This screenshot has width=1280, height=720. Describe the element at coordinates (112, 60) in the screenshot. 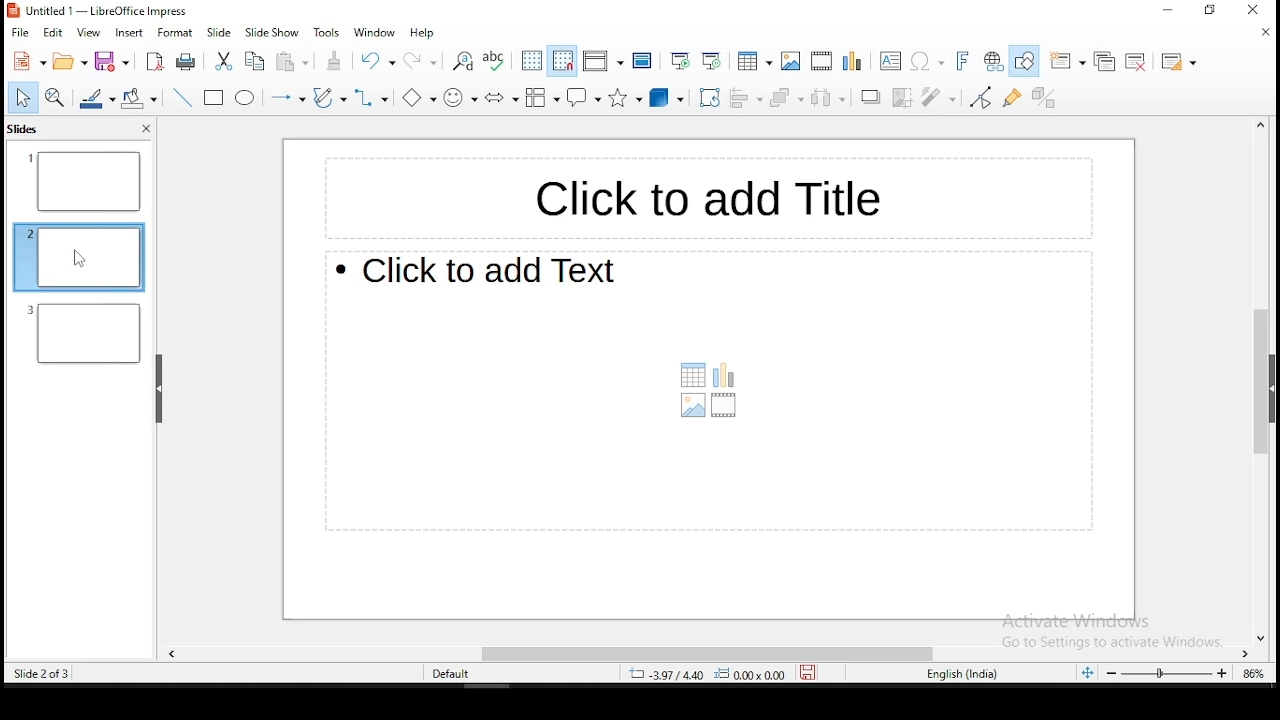

I see `save` at that location.